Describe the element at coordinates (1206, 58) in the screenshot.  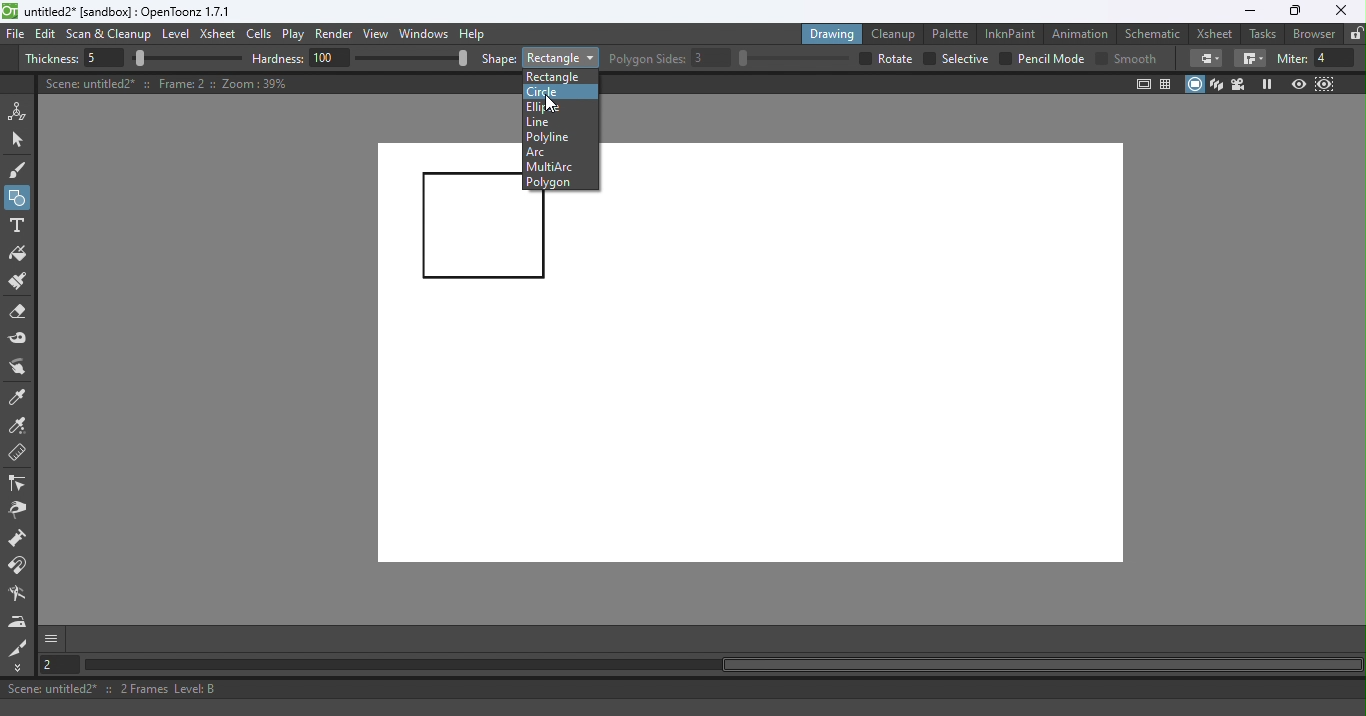
I see `Border corners` at that location.